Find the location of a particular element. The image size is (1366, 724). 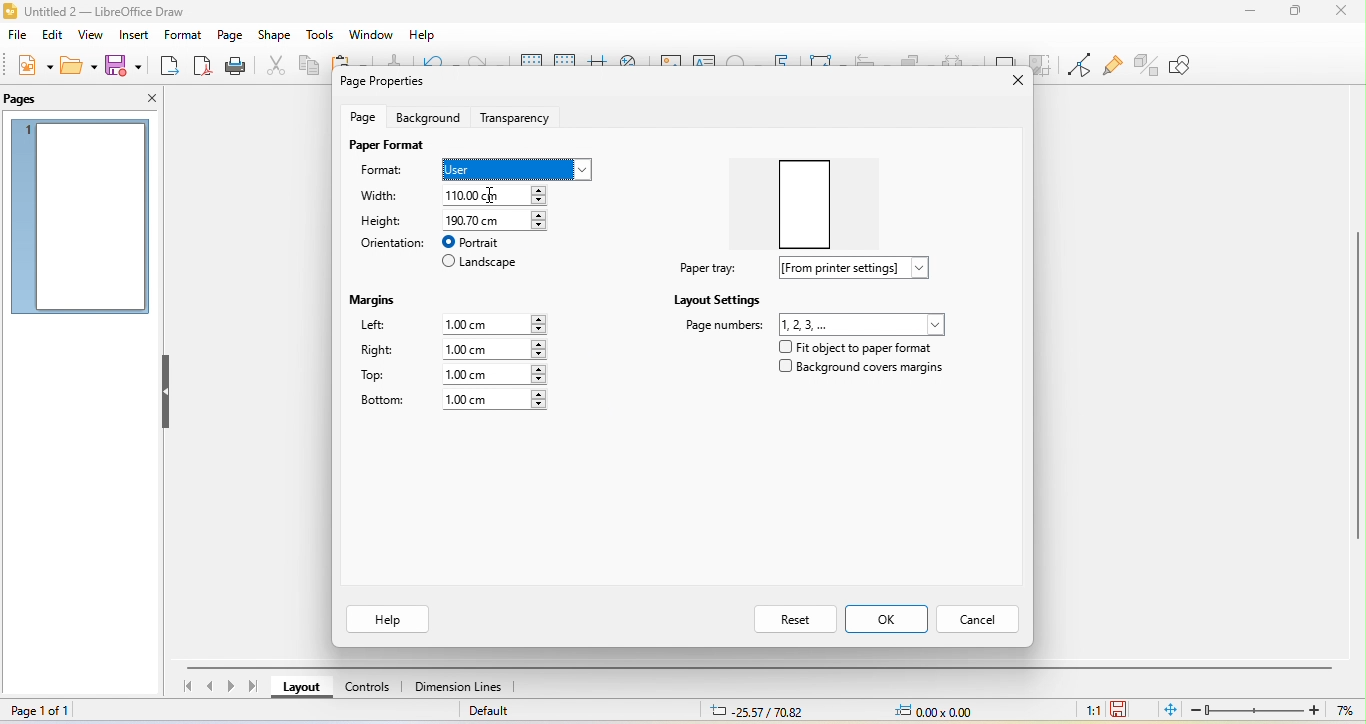

margins is located at coordinates (377, 297).